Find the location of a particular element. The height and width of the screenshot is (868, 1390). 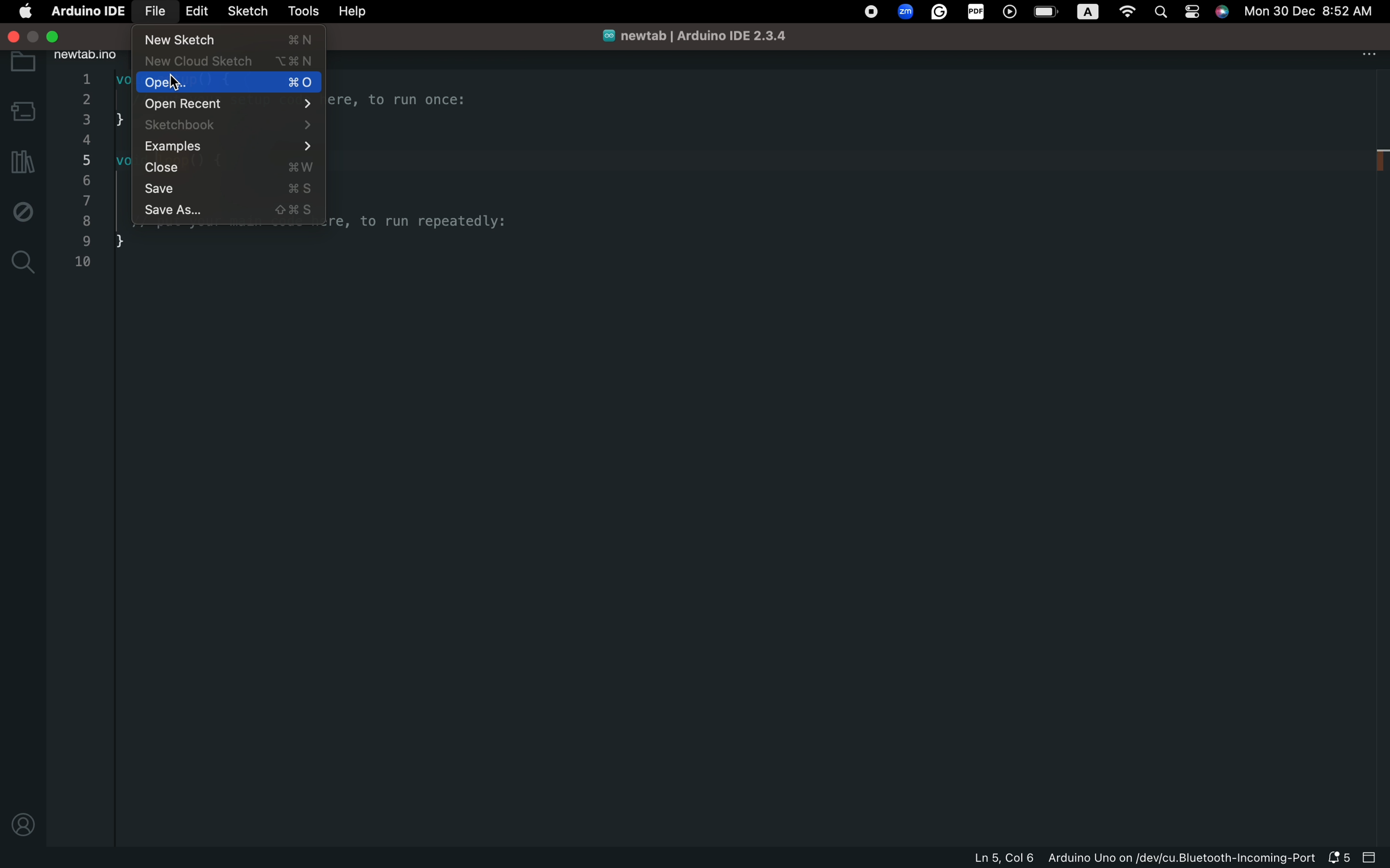

wifi is located at coordinates (1130, 13).